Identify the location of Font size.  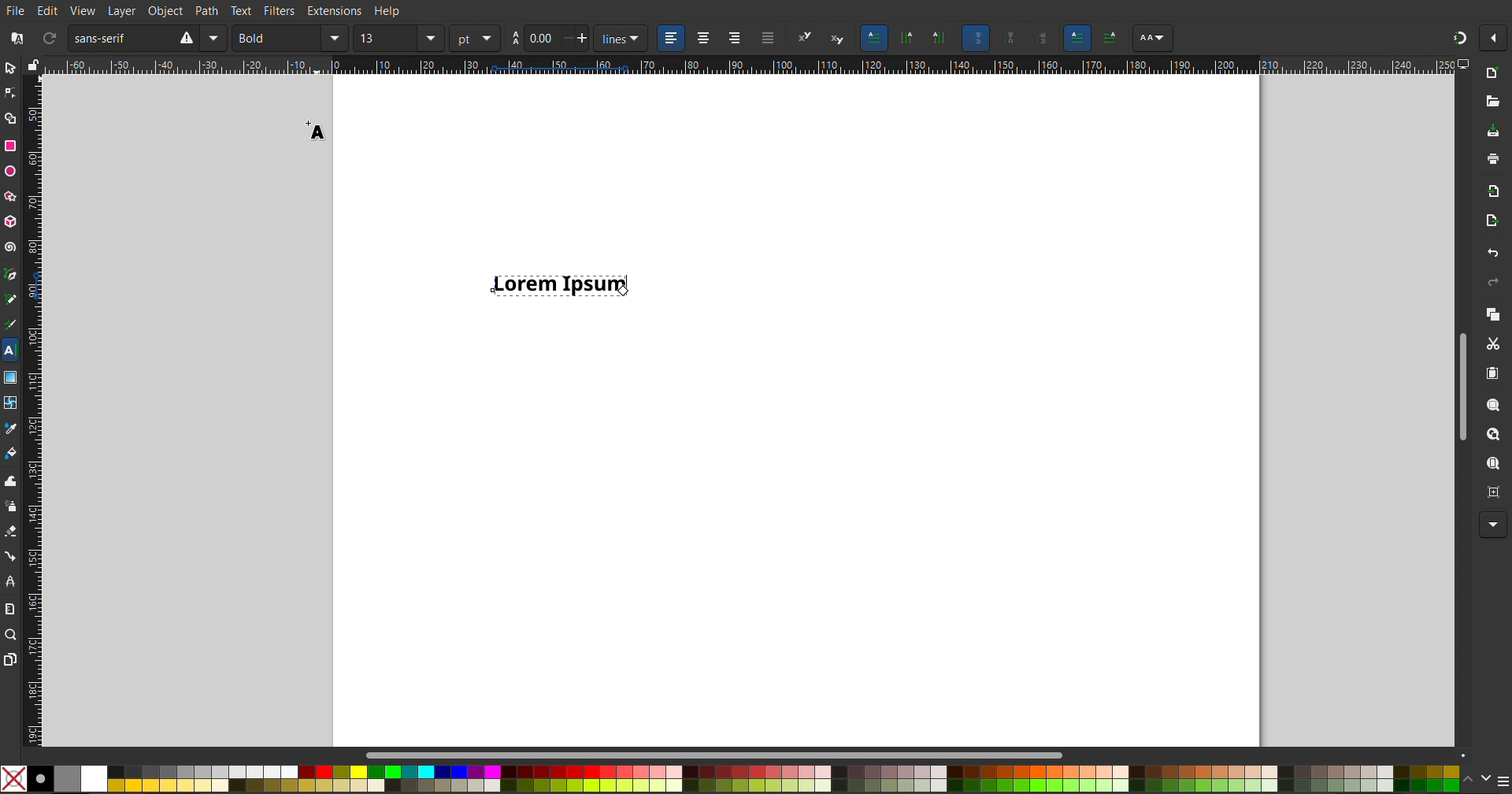
(398, 39).